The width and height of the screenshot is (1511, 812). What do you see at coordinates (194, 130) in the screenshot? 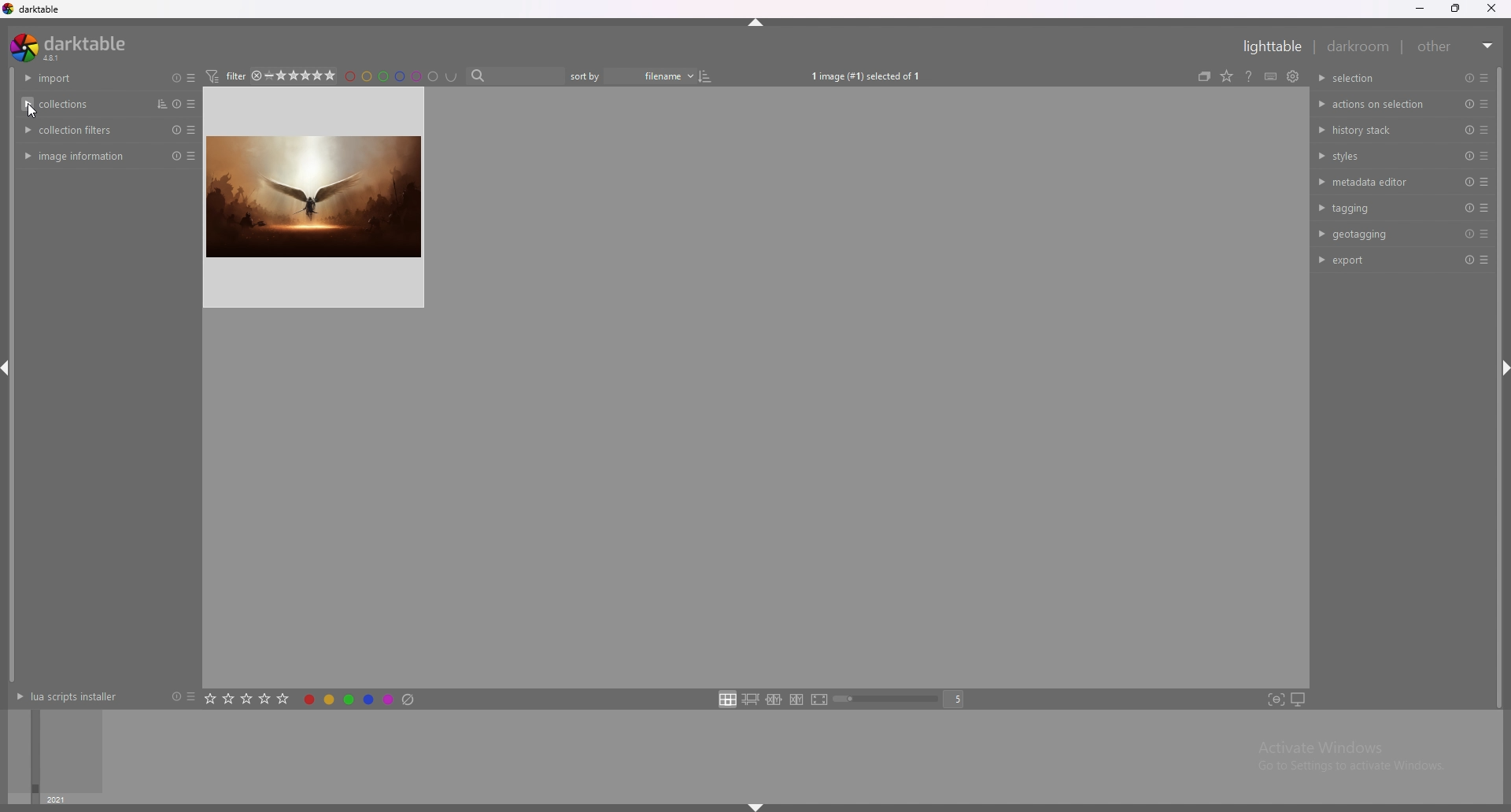
I see `presets` at bounding box center [194, 130].